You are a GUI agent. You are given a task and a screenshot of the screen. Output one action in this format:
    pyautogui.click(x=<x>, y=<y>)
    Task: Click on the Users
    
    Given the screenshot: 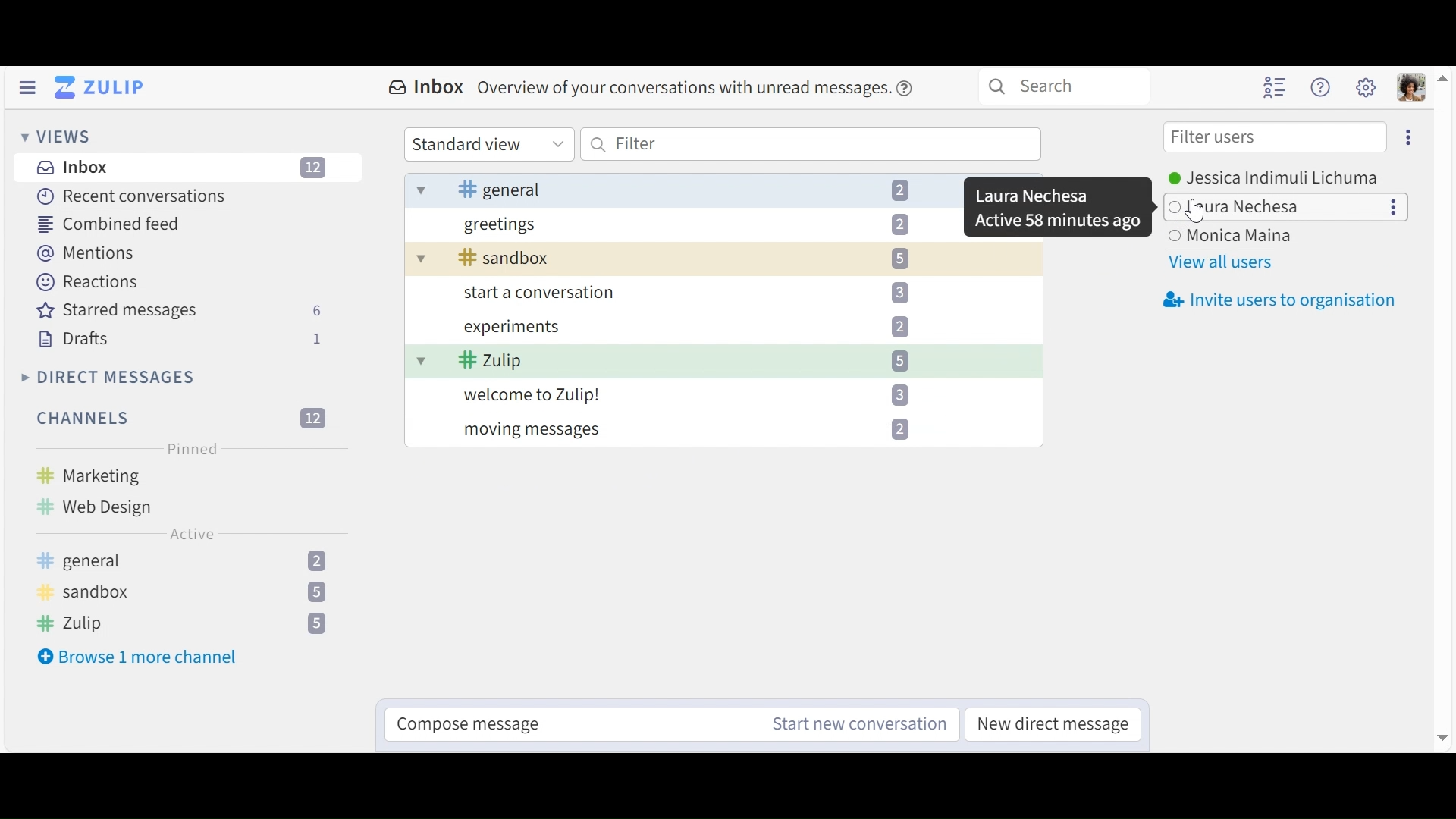 What is the action you would take?
    pyautogui.click(x=1272, y=180)
    